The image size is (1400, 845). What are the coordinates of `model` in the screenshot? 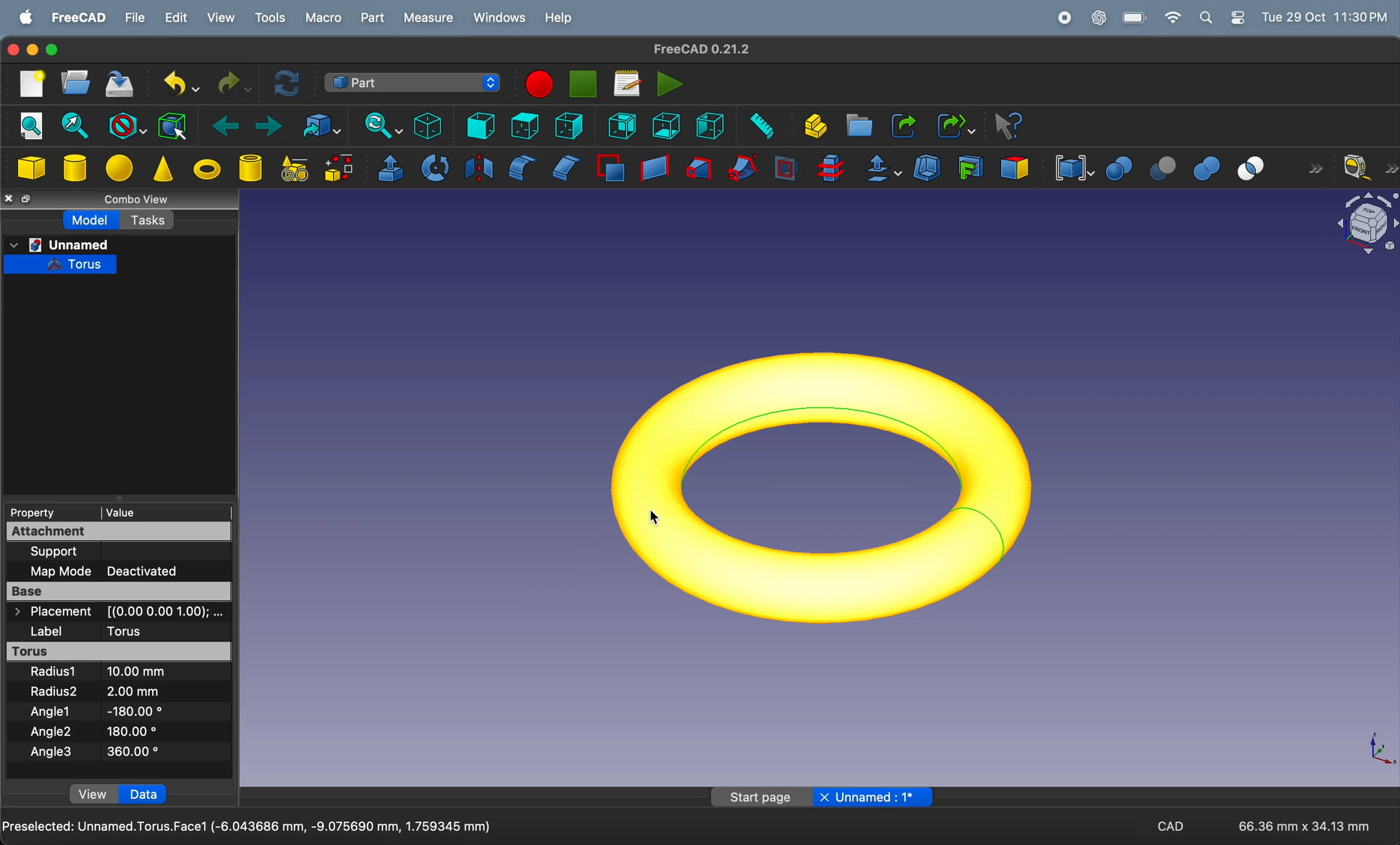 It's located at (92, 219).